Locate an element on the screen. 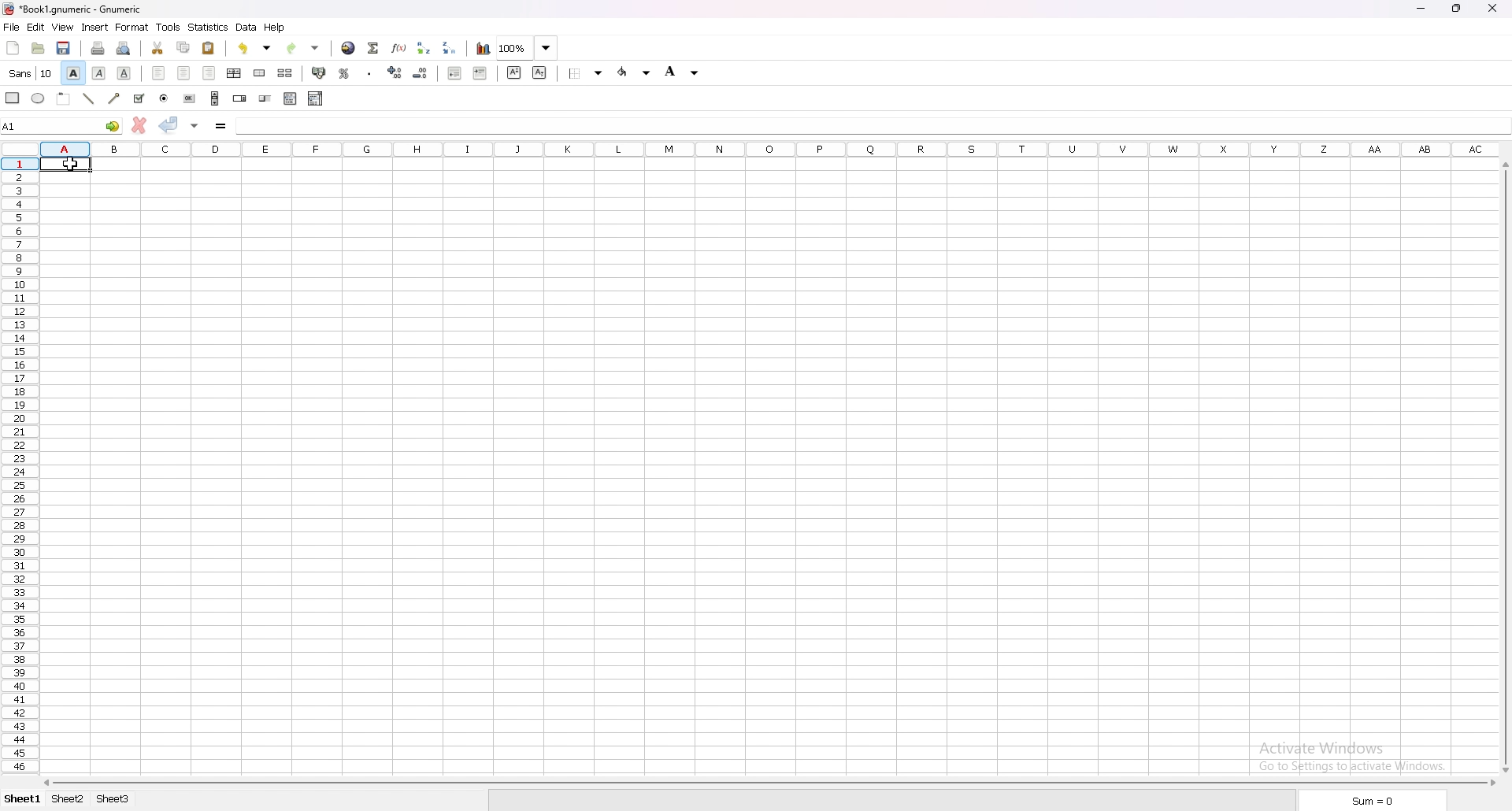 This screenshot has height=811, width=1512. sort descending is located at coordinates (449, 47).